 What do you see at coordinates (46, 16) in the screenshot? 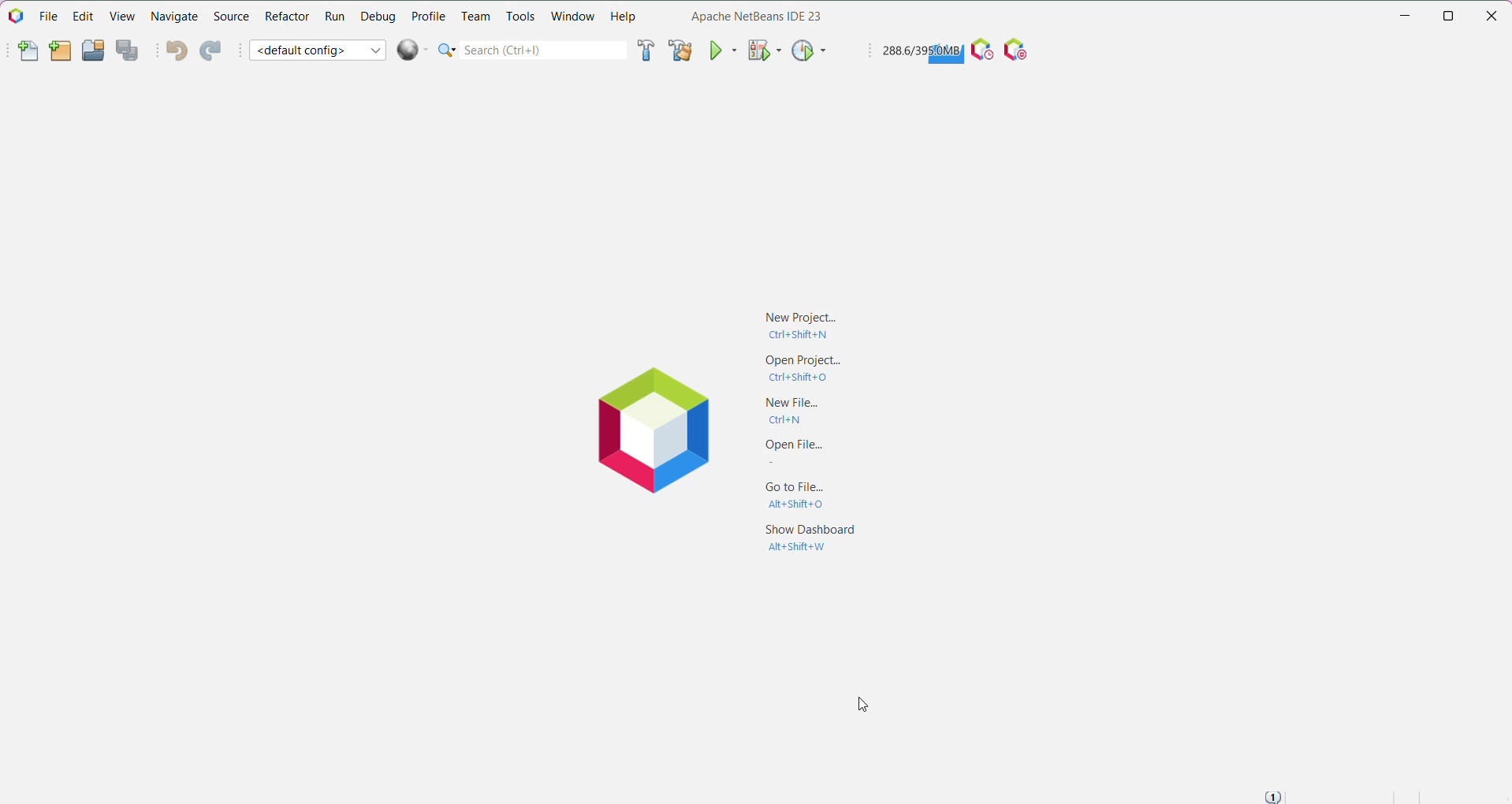
I see `File` at bounding box center [46, 16].